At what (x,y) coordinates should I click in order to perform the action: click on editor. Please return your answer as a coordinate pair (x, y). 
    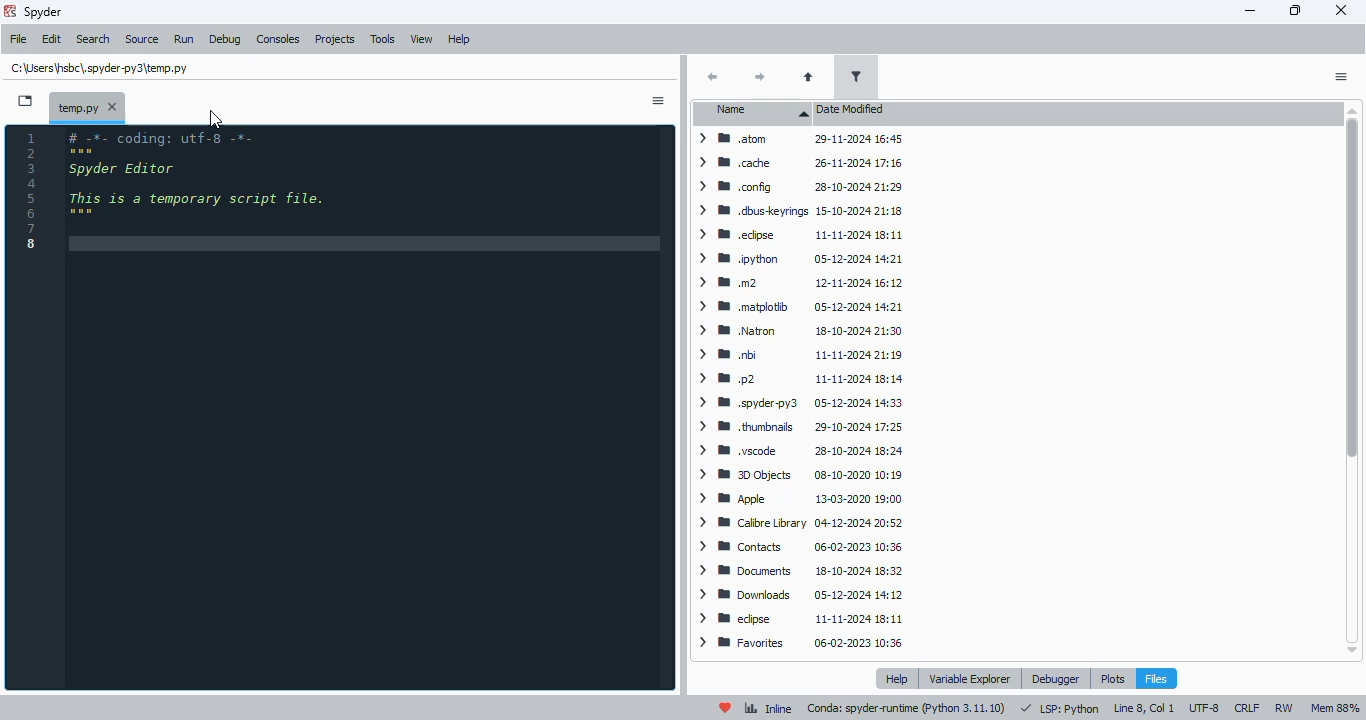
    Looking at the image, I should click on (366, 407).